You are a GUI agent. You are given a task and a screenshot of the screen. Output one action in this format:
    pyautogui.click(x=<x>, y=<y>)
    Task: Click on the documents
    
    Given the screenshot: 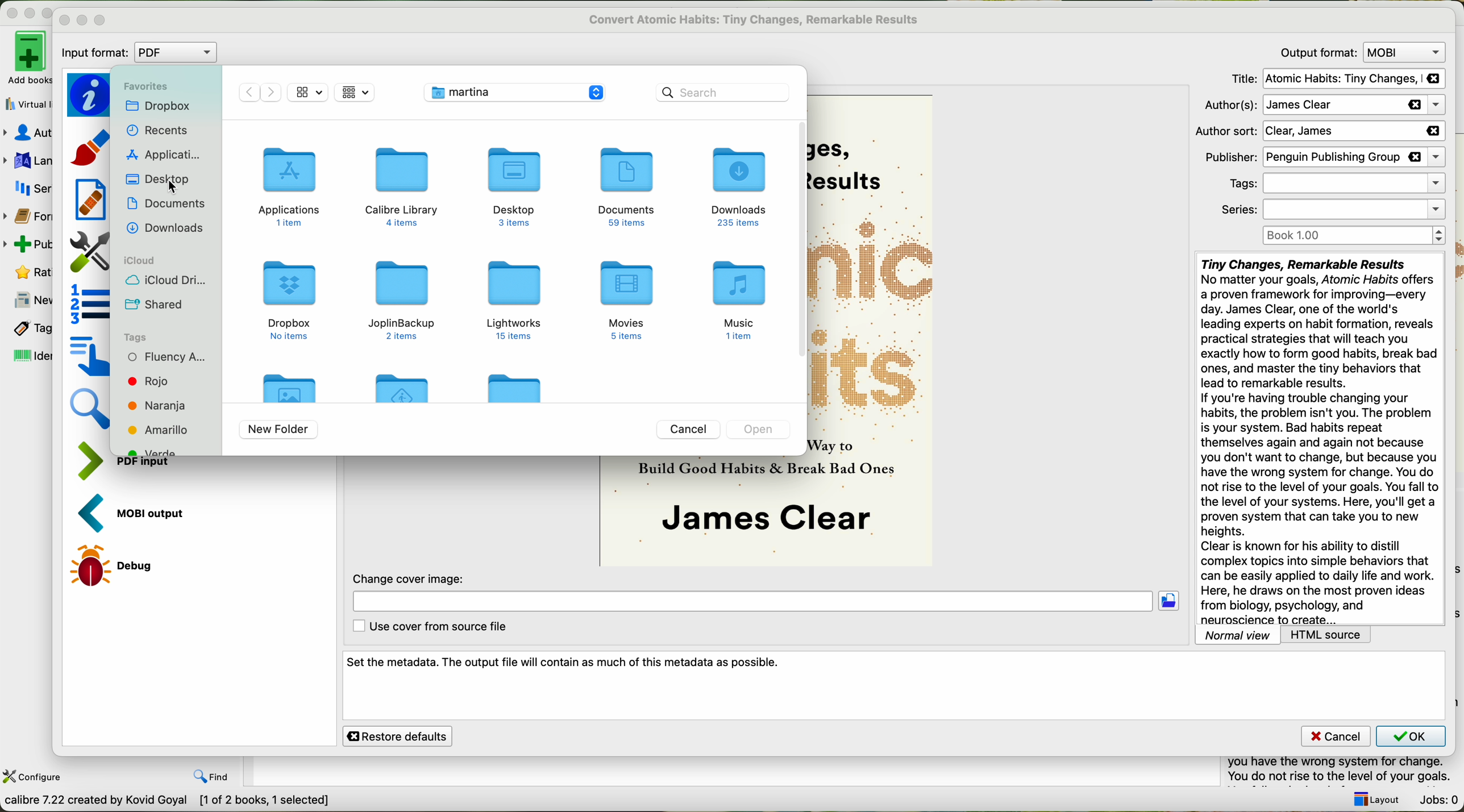 What is the action you would take?
    pyautogui.click(x=165, y=206)
    